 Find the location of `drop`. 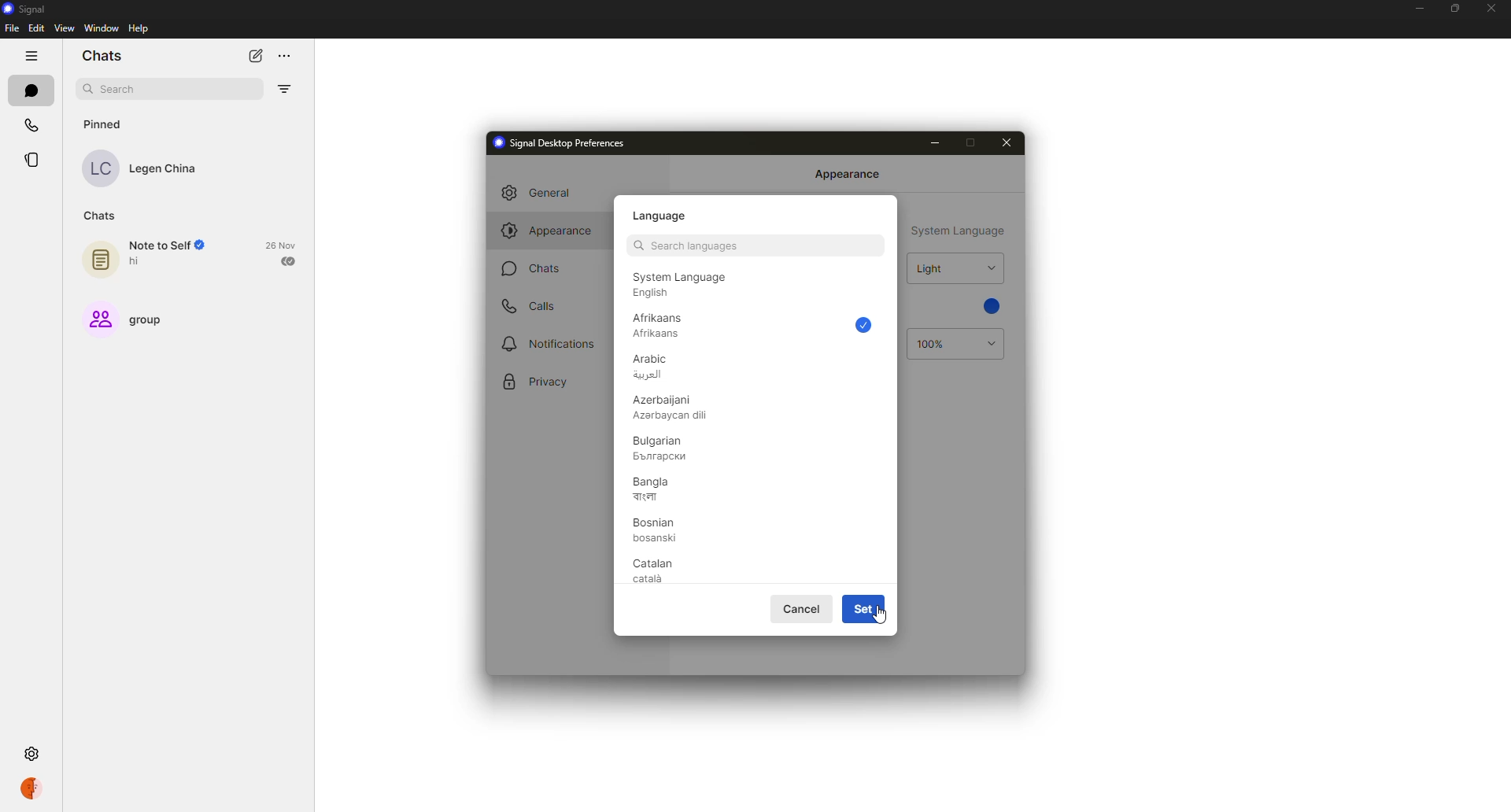

drop is located at coordinates (988, 343).